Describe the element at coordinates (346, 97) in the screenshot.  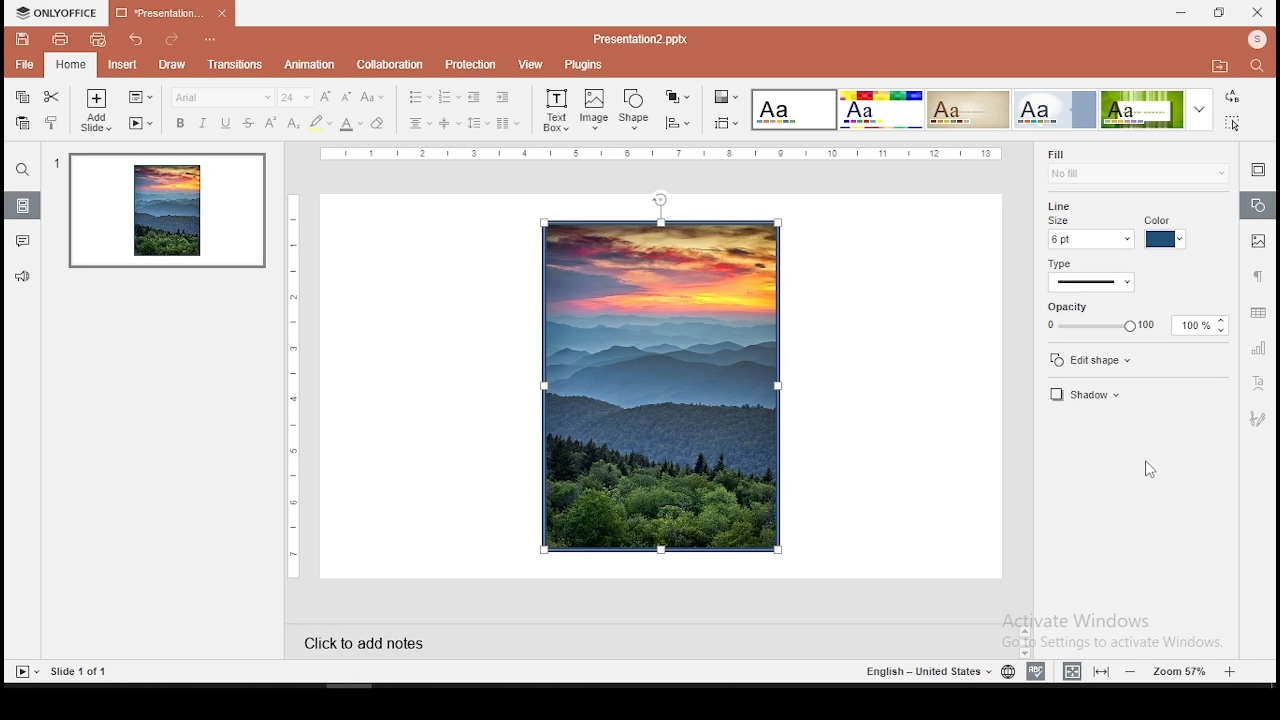
I see `decrease font size` at that location.